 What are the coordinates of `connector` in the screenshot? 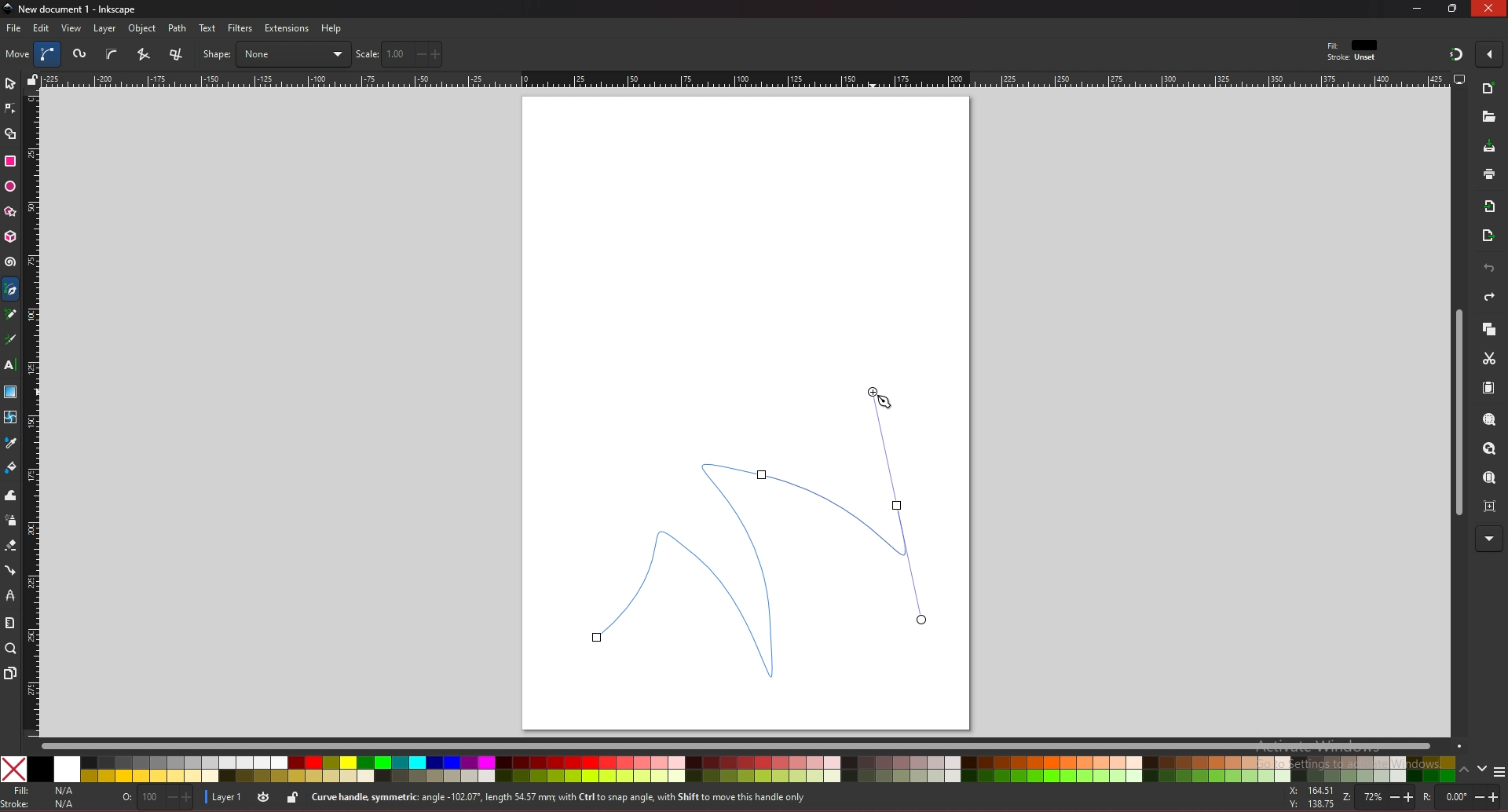 It's located at (11, 571).